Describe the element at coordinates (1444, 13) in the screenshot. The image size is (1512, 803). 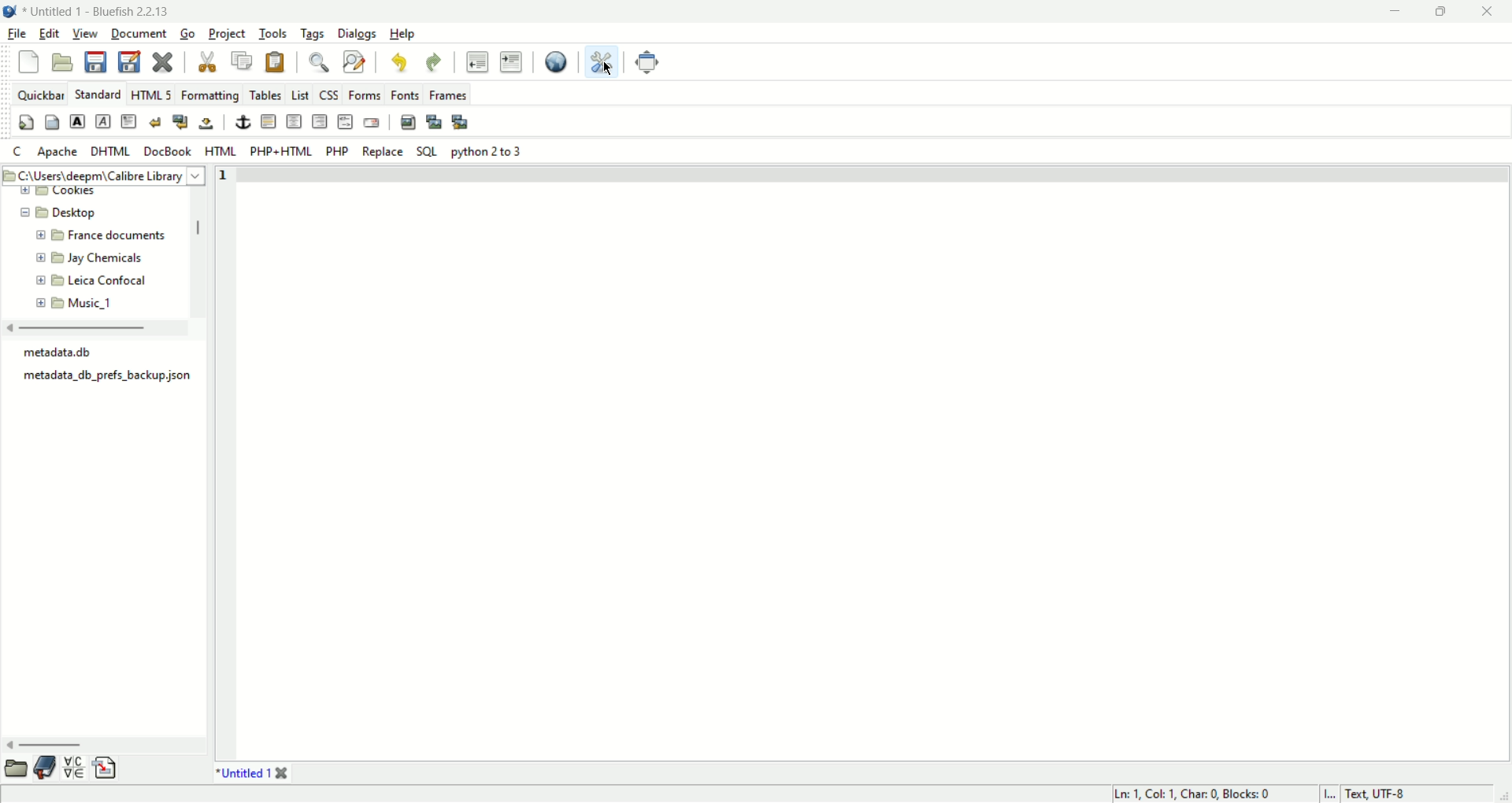
I see `maximize` at that location.